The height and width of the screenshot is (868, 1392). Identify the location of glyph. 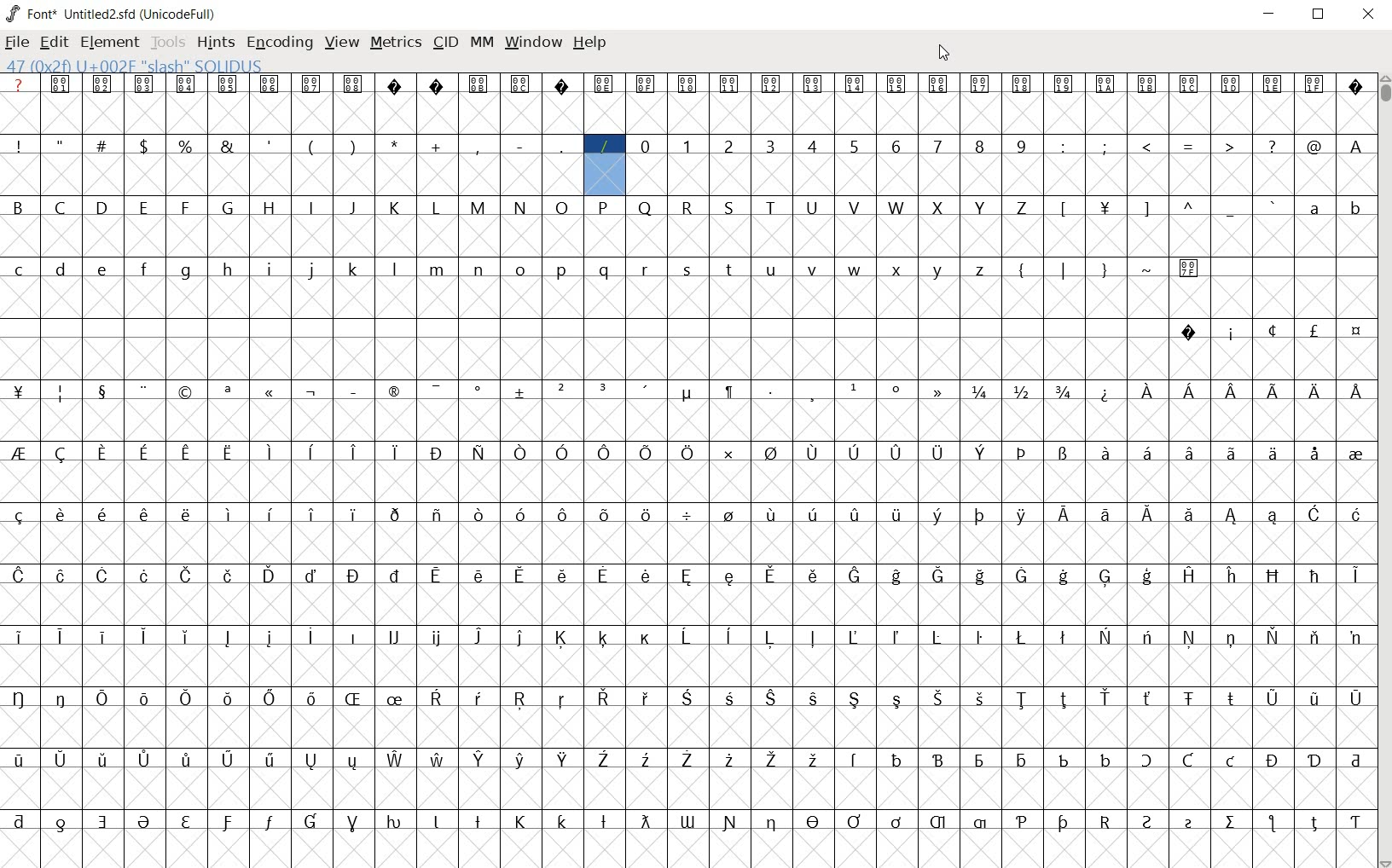
(1022, 700).